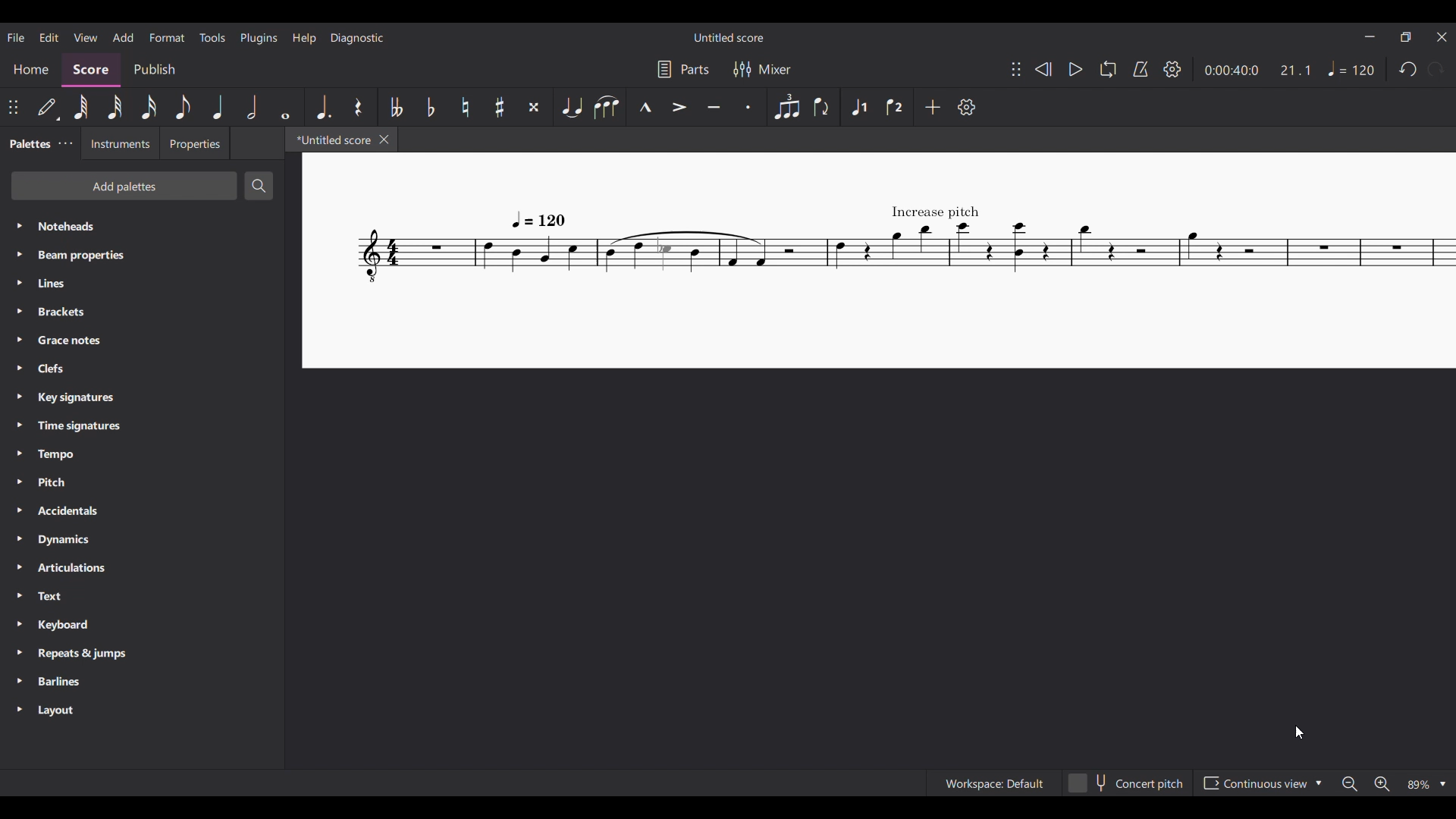 The height and width of the screenshot is (819, 1456). What do you see at coordinates (1256, 783) in the screenshot?
I see `Continuous view reflected as current selection` at bounding box center [1256, 783].